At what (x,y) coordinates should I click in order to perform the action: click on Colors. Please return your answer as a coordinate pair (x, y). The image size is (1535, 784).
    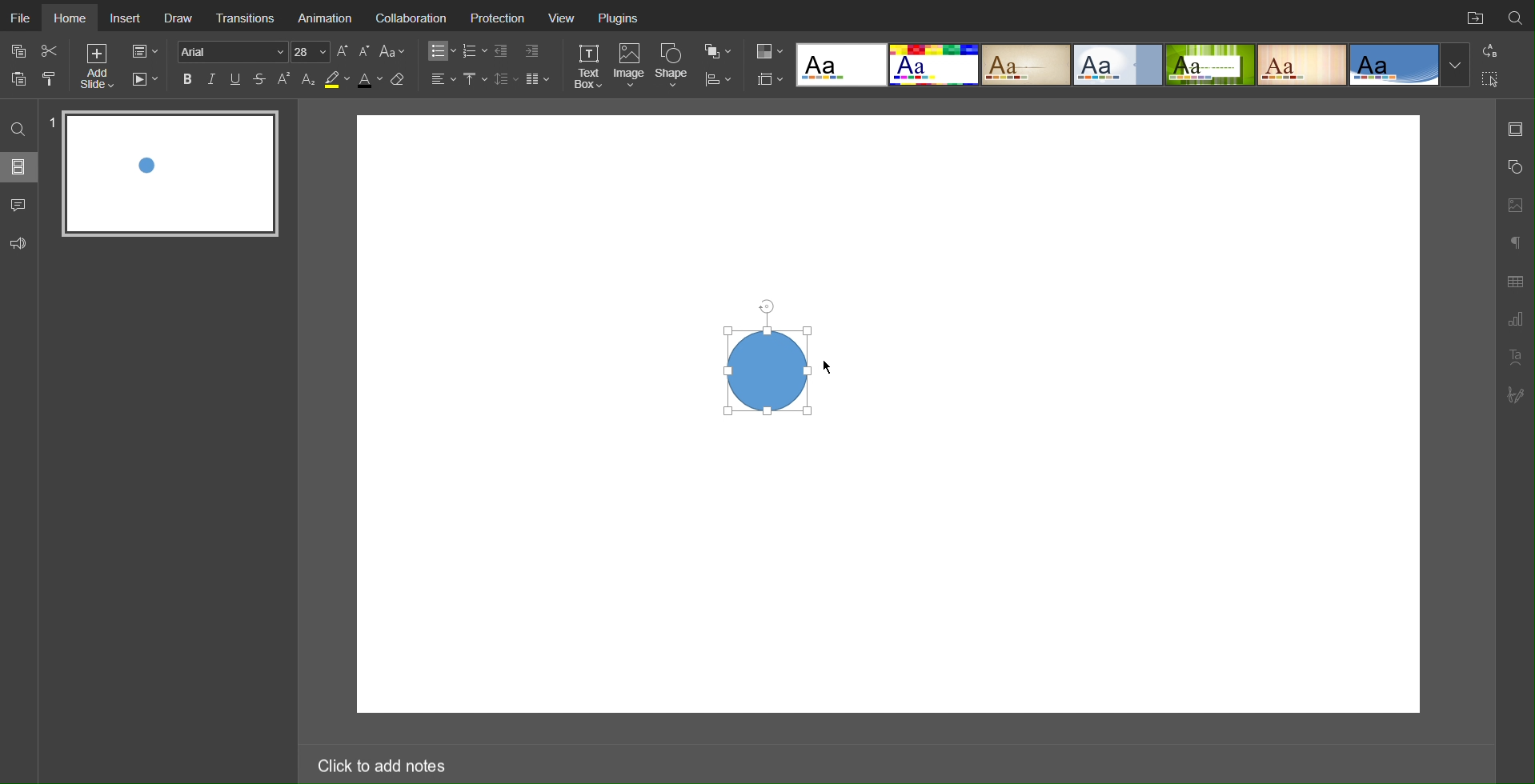
    Looking at the image, I should click on (767, 50).